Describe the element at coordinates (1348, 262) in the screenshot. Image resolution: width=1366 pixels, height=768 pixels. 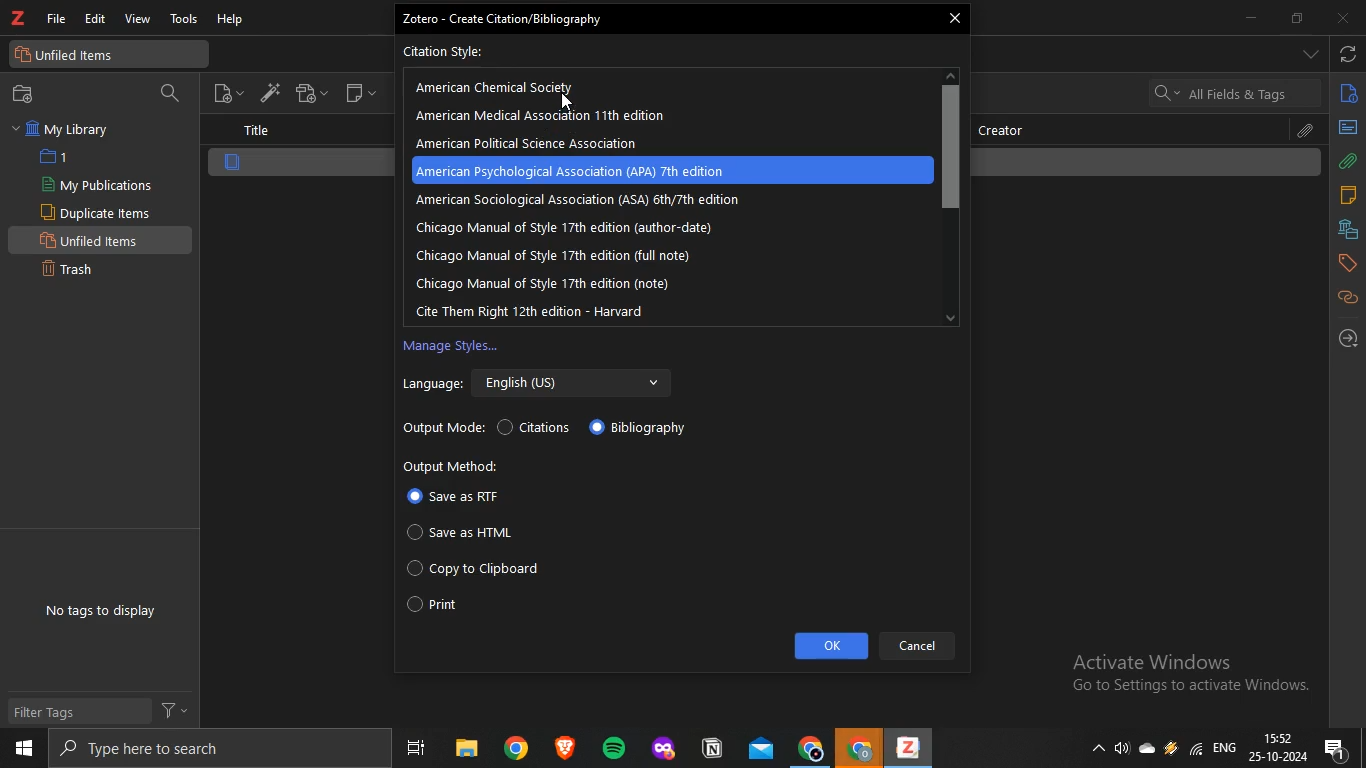
I see `tags` at that location.